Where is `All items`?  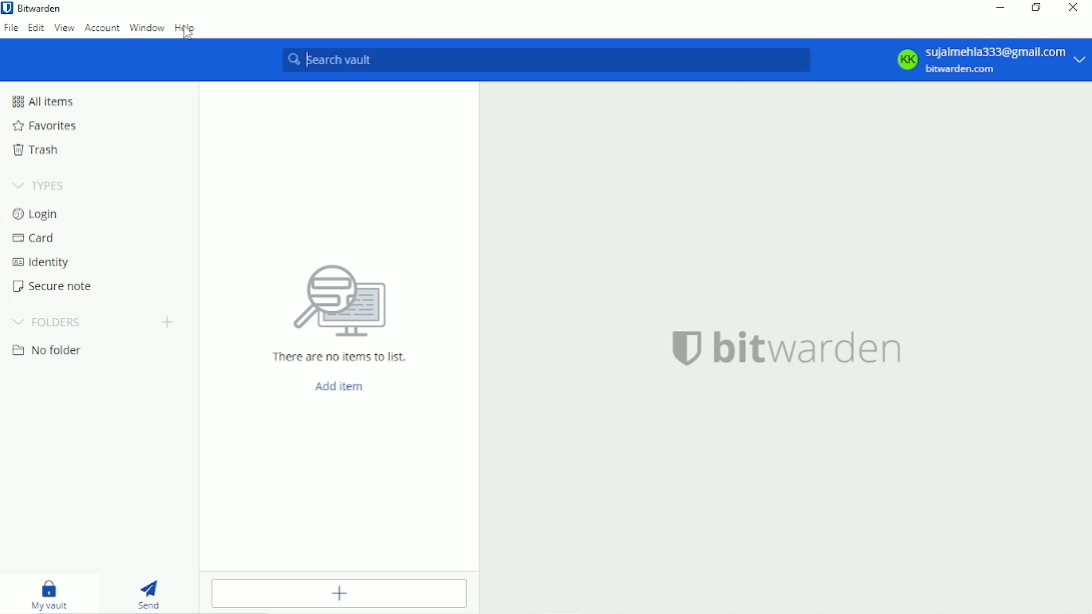
All items is located at coordinates (45, 100).